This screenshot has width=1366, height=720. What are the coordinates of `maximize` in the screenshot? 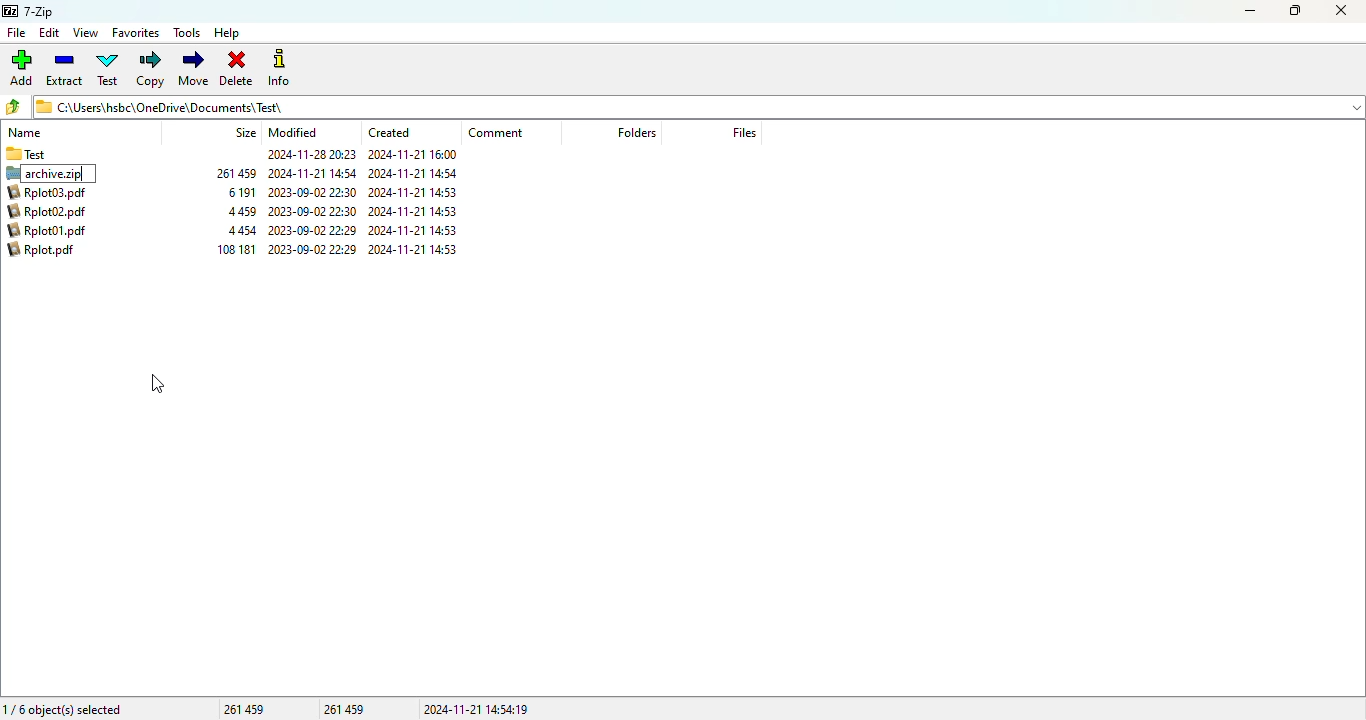 It's located at (1295, 11).